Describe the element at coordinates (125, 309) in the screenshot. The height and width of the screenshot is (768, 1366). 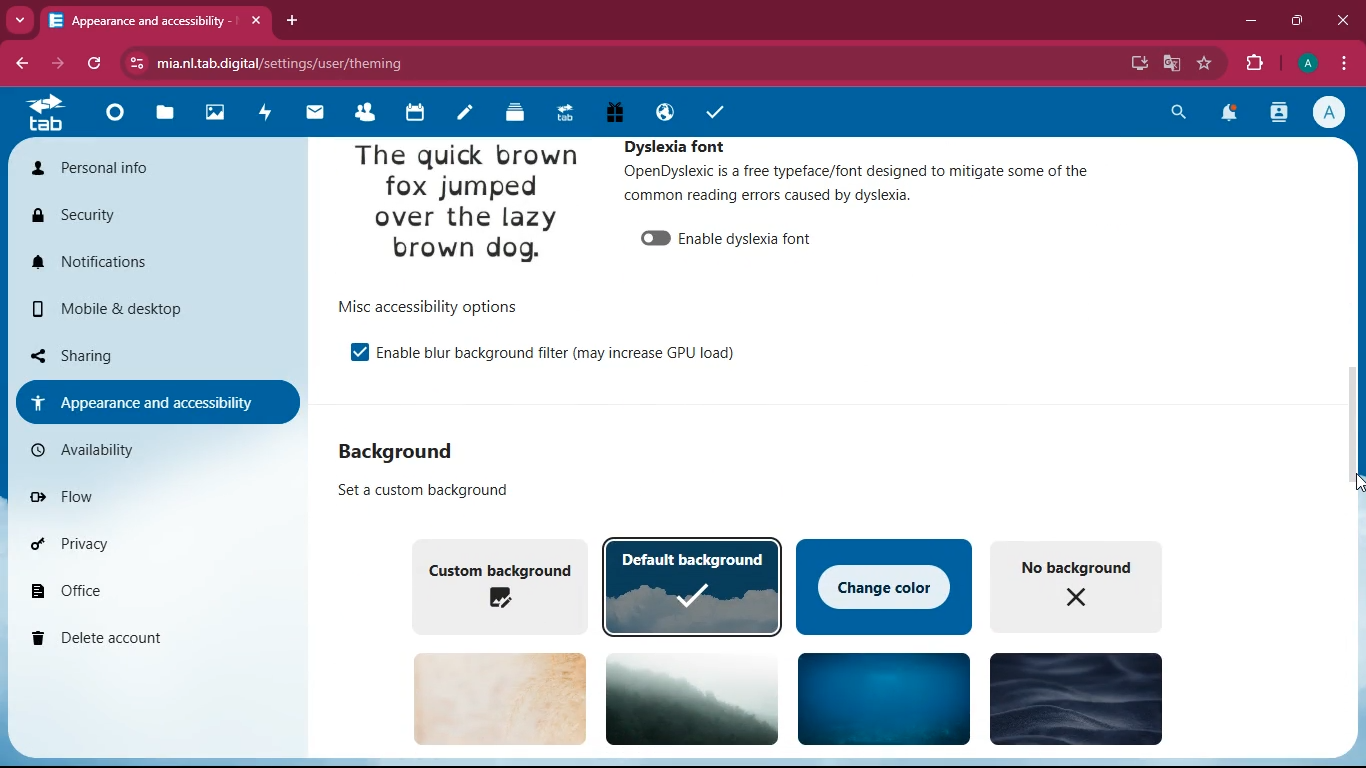
I see `mobile & desktop` at that location.